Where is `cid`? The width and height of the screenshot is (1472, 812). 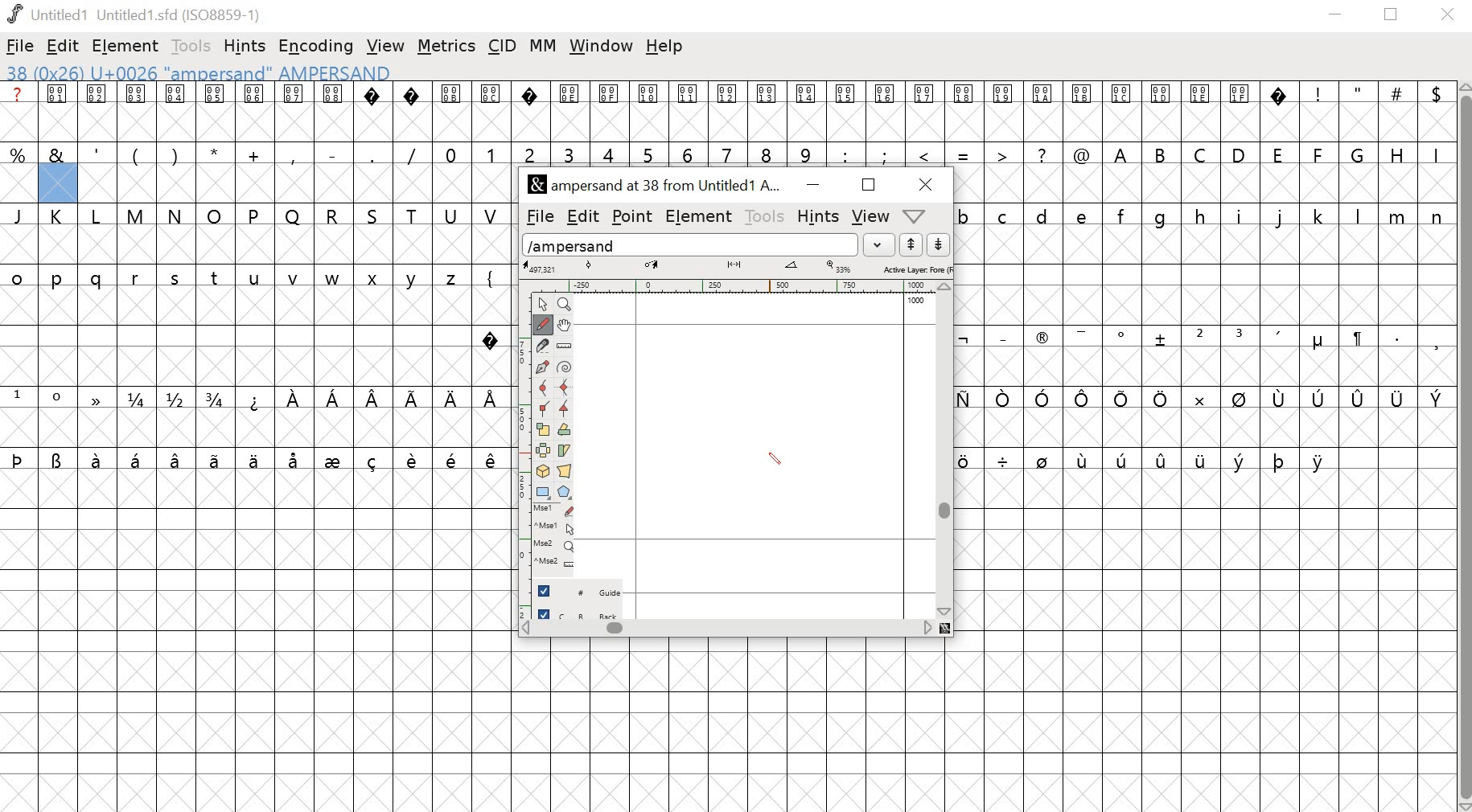 cid is located at coordinates (504, 45).